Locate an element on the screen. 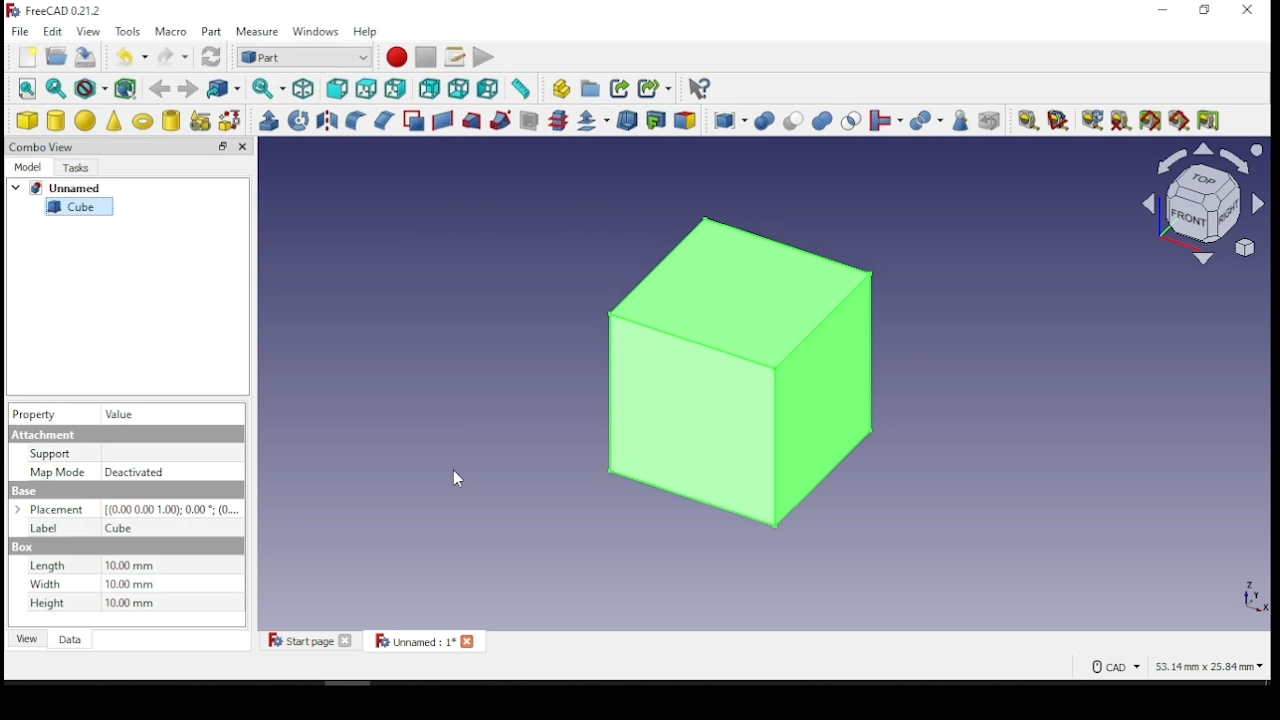 The width and height of the screenshot is (1280, 720). cross sections is located at coordinates (558, 121).